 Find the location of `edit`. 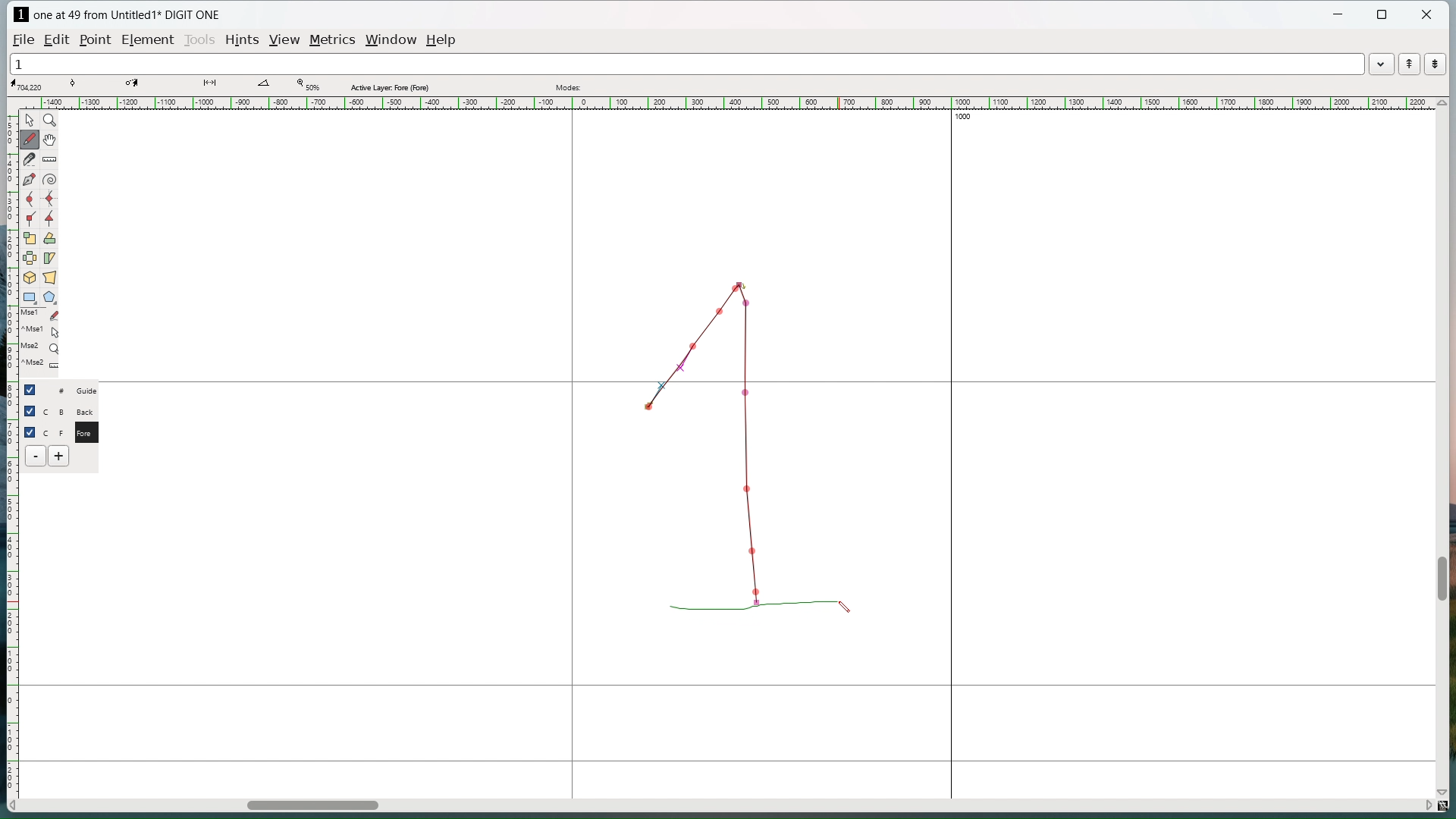

edit is located at coordinates (59, 39).